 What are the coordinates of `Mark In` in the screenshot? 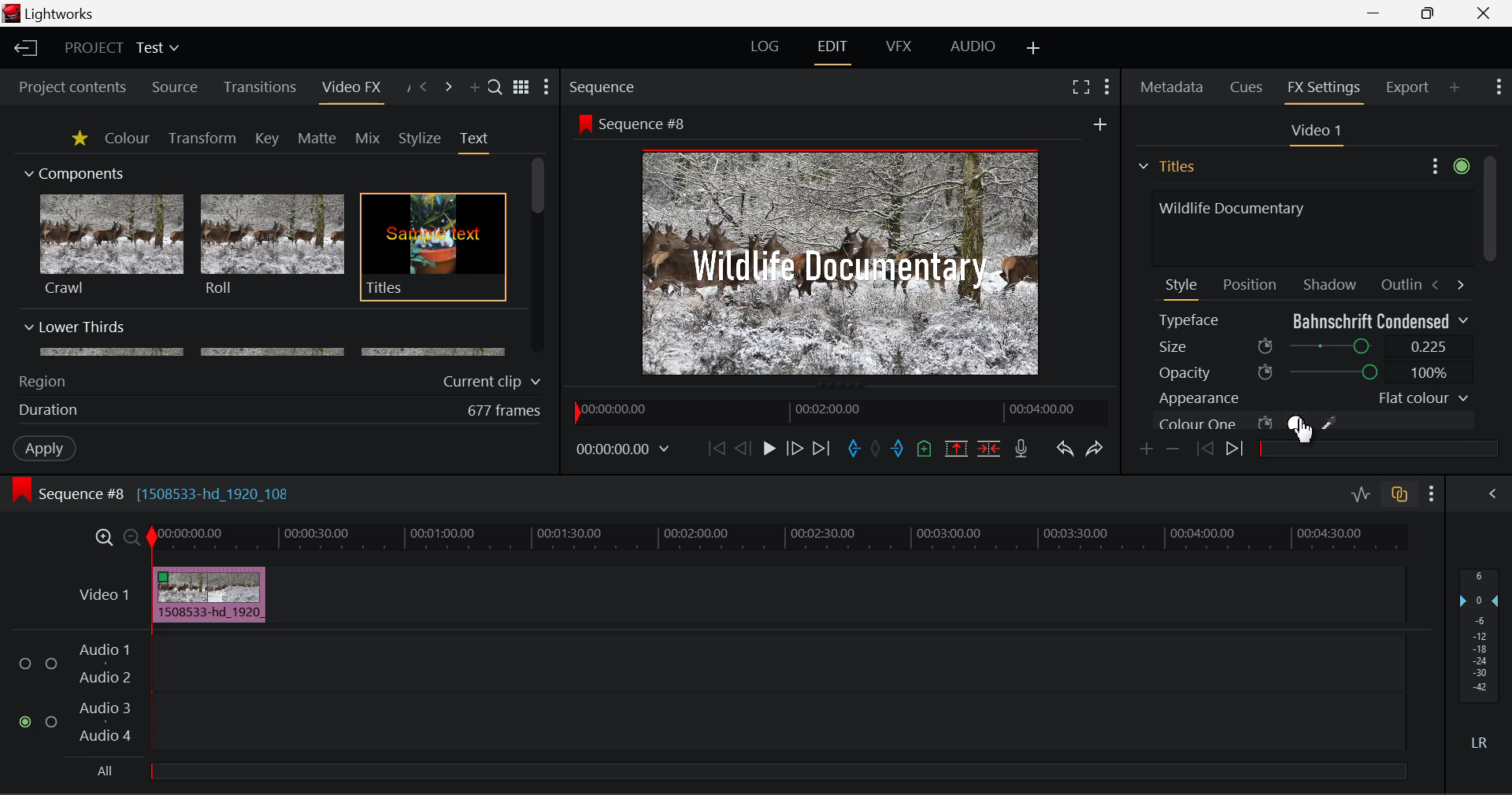 It's located at (854, 451).